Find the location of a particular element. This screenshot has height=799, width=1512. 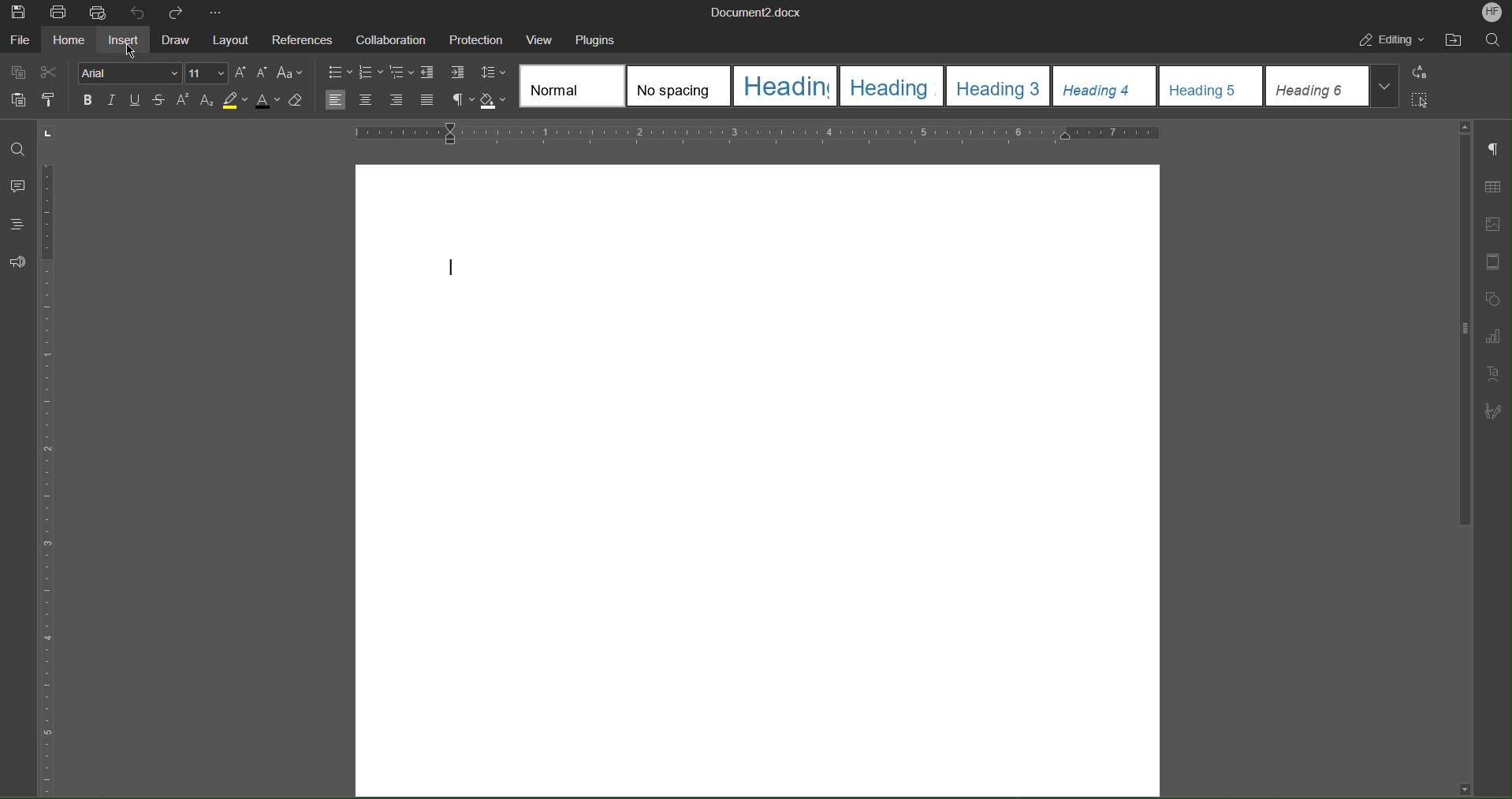

References is located at coordinates (300, 39).